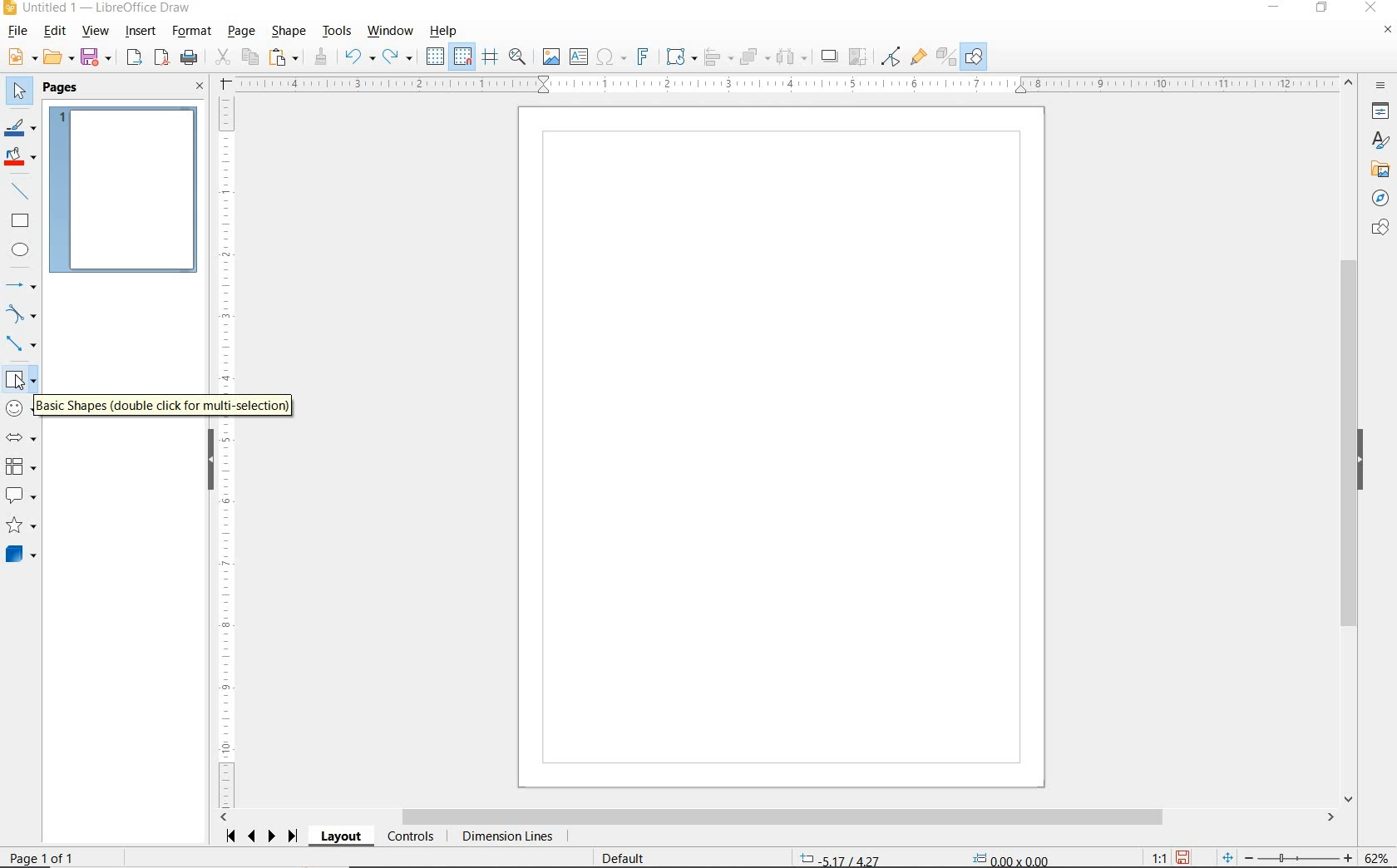  What do you see at coordinates (506, 837) in the screenshot?
I see `DIMENSION LINES` at bounding box center [506, 837].